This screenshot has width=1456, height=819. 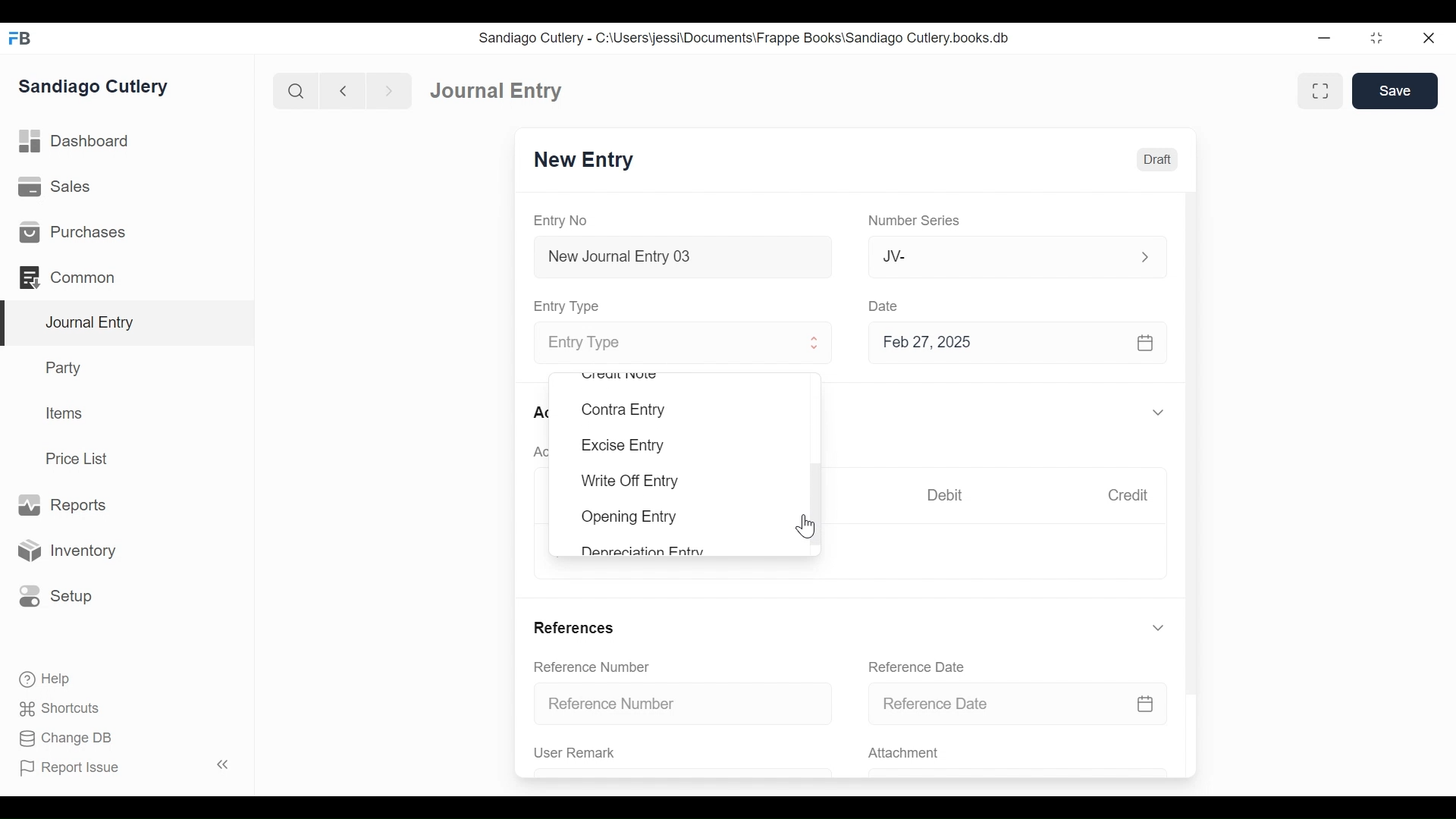 I want to click on Restore, so click(x=1376, y=37).